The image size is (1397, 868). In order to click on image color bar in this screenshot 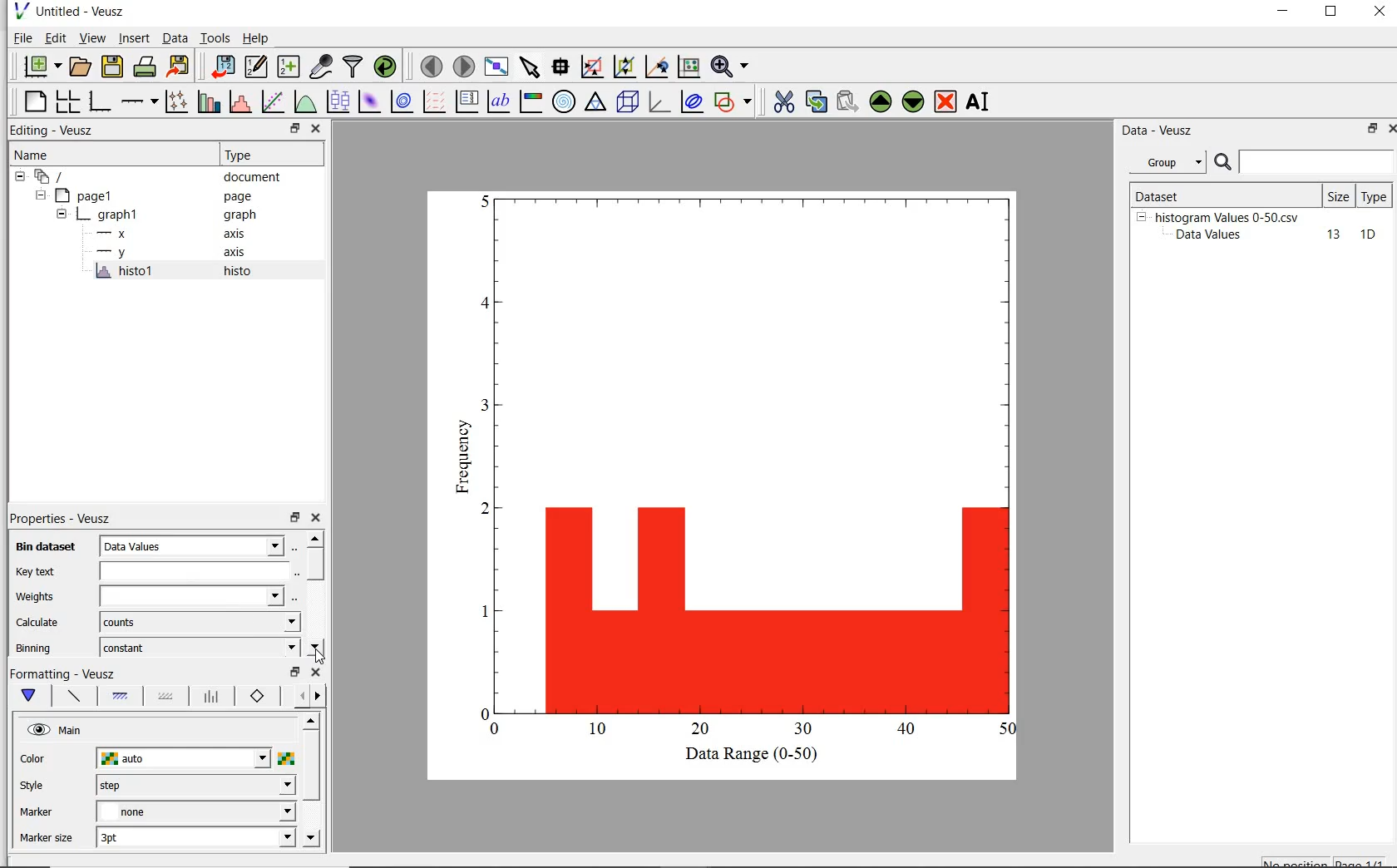, I will do `click(532, 101)`.